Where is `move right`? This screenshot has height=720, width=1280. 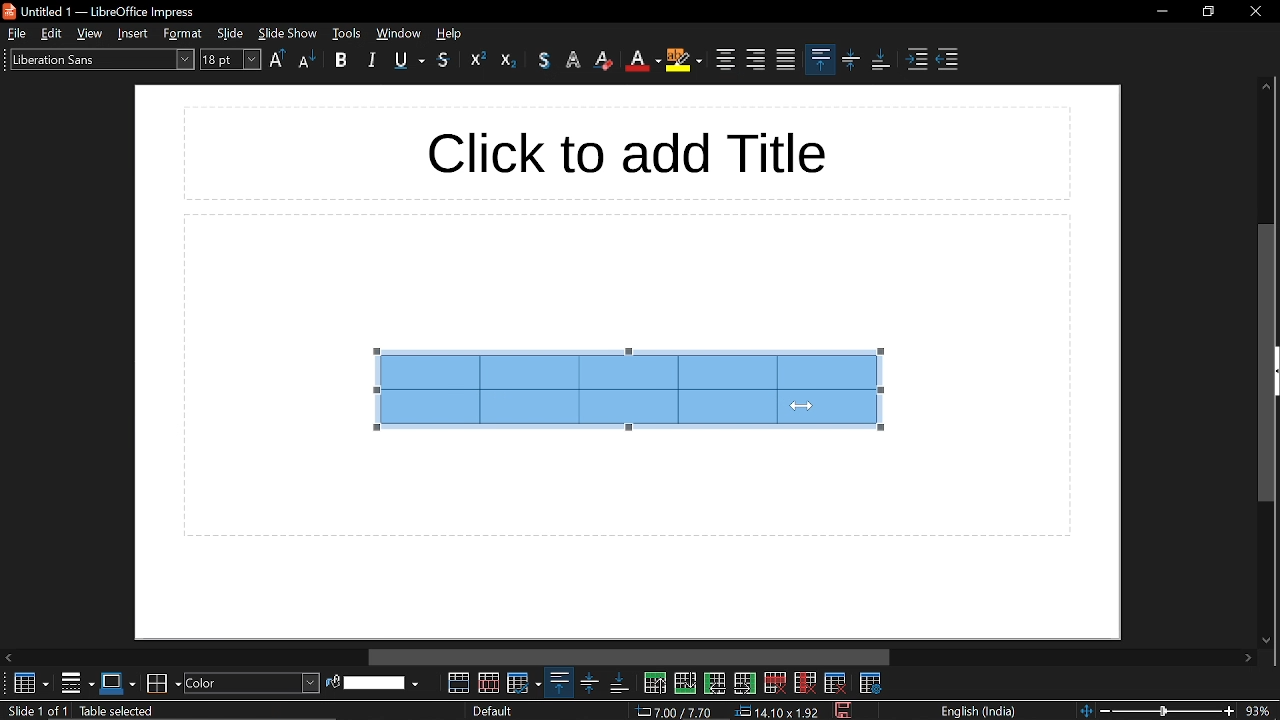 move right is located at coordinates (1251, 659).